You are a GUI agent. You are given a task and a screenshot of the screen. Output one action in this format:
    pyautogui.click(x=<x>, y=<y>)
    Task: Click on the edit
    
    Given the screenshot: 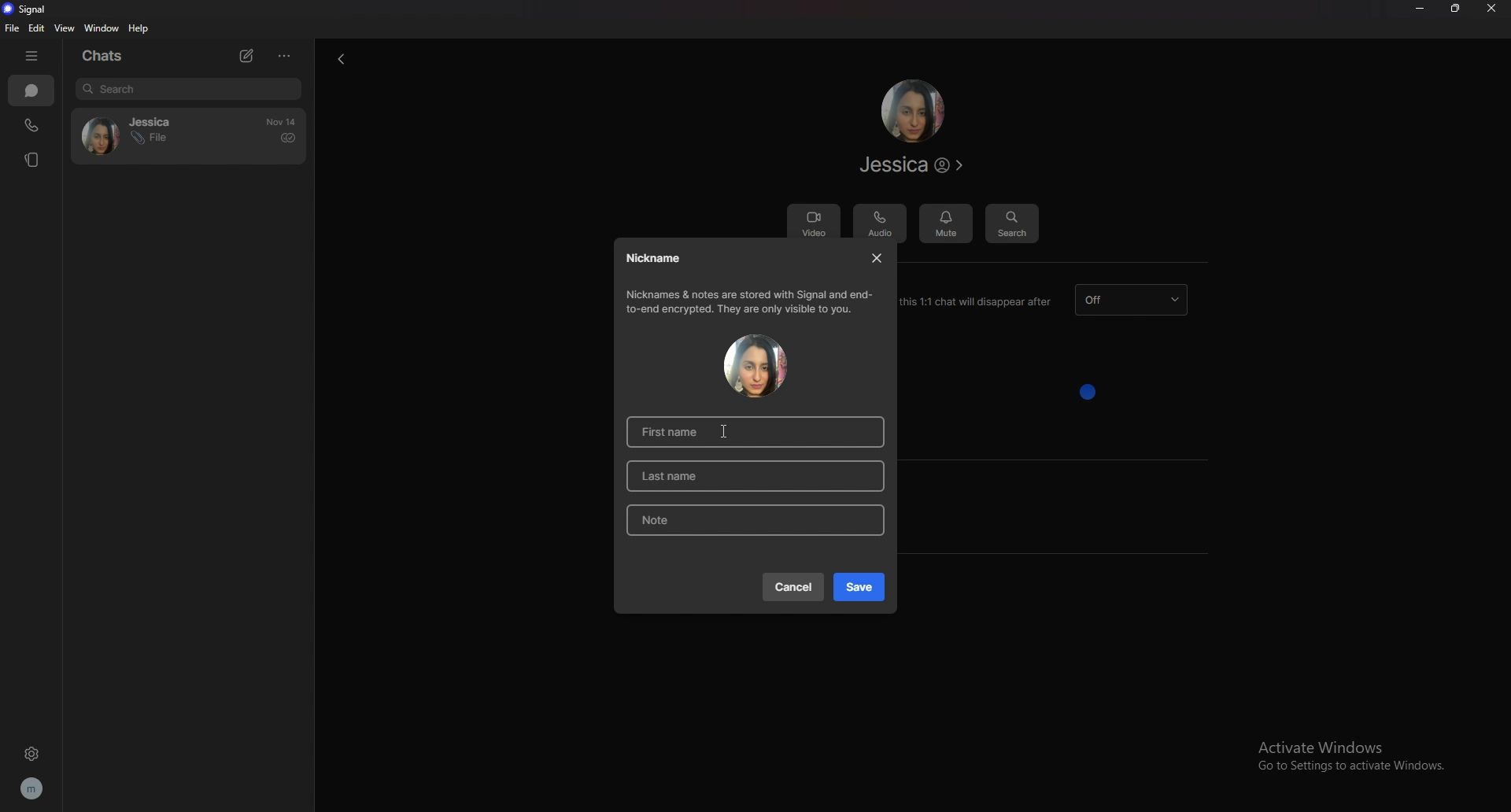 What is the action you would take?
    pyautogui.click(x=36, y=28)
    